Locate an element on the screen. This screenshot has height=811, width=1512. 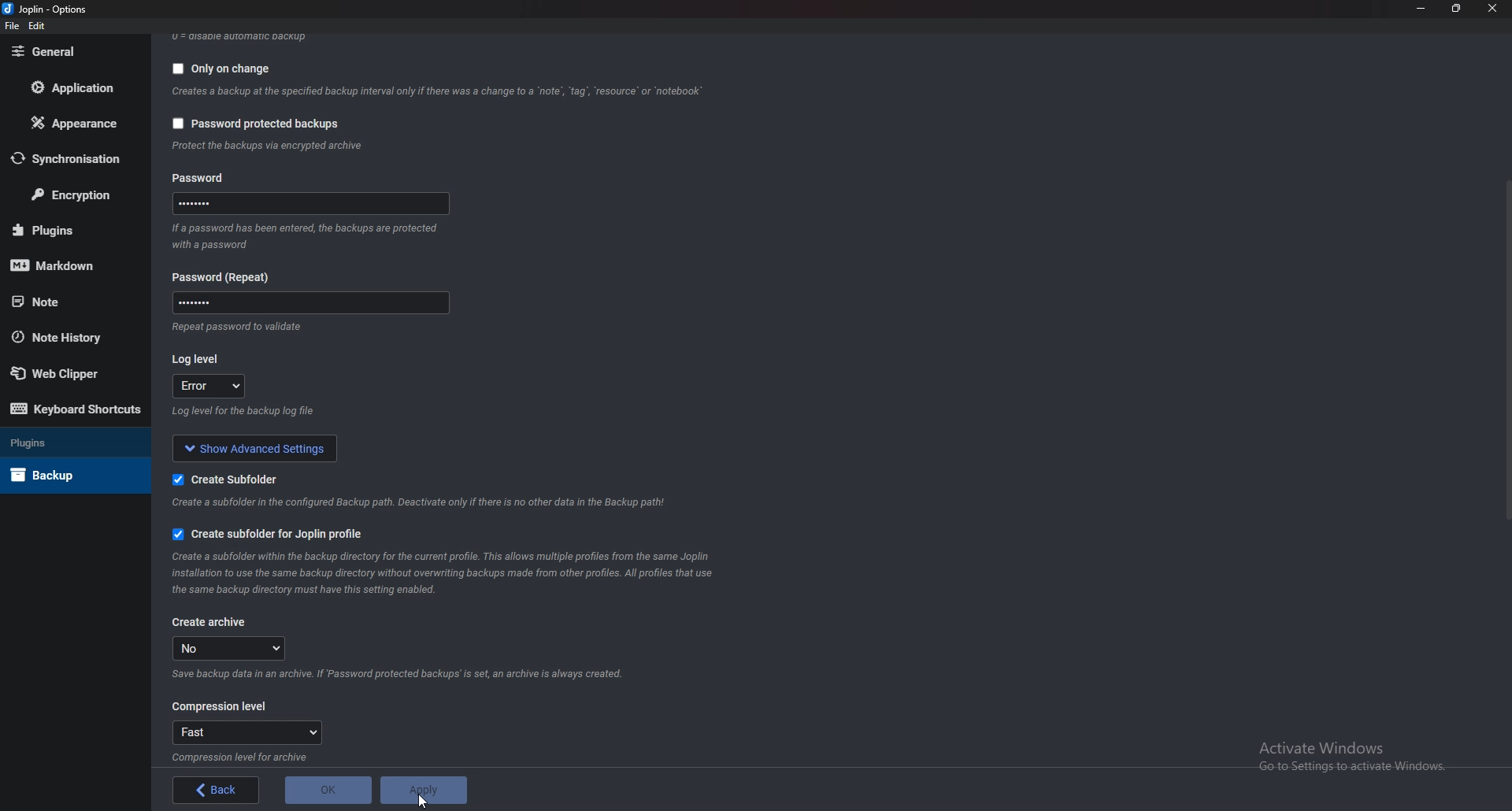
Back up is located at coordinates (58, 475).